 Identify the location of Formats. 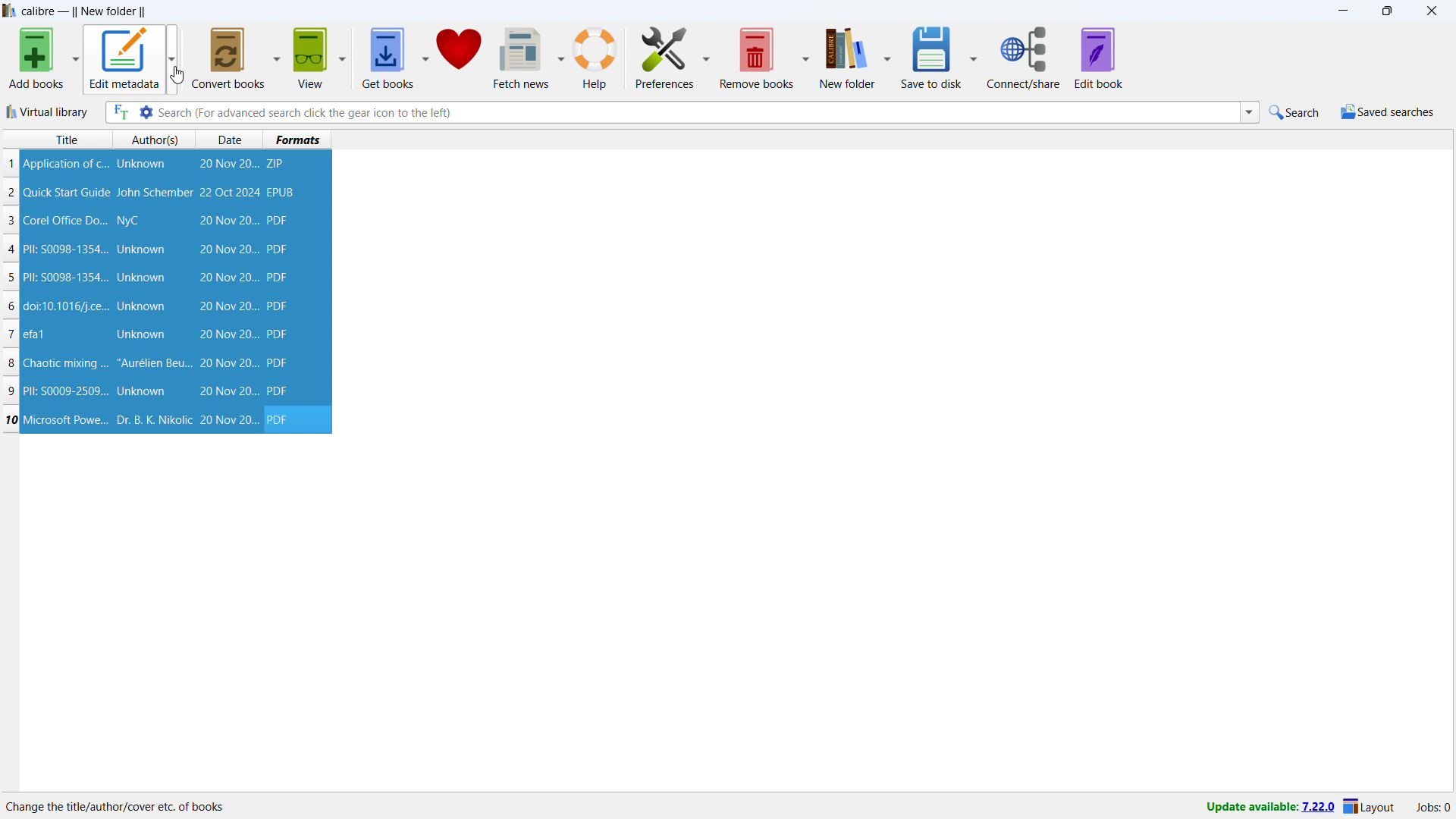
(298, 139).